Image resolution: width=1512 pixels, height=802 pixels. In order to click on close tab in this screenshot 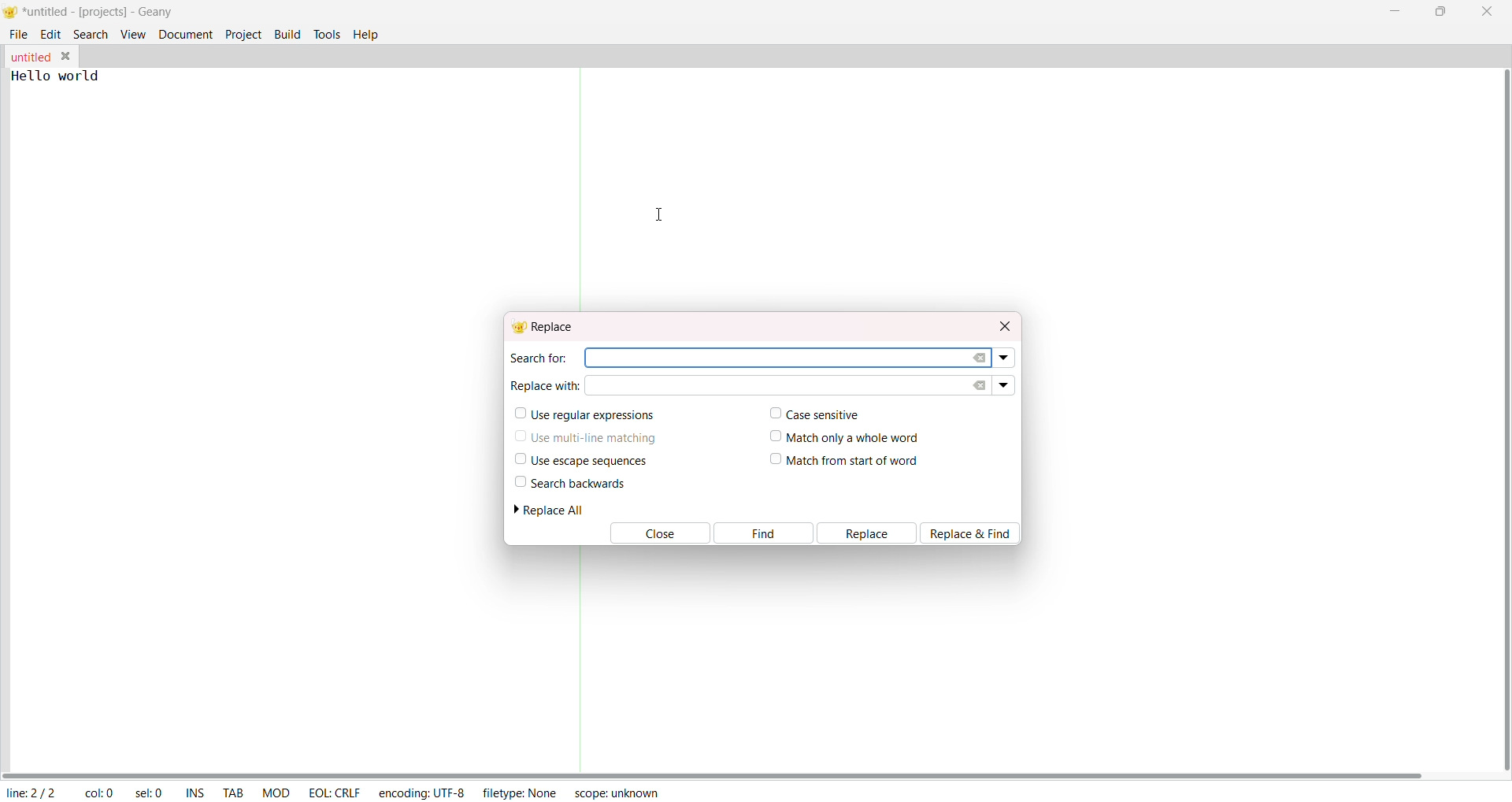, I will do `click(69, 56)`.